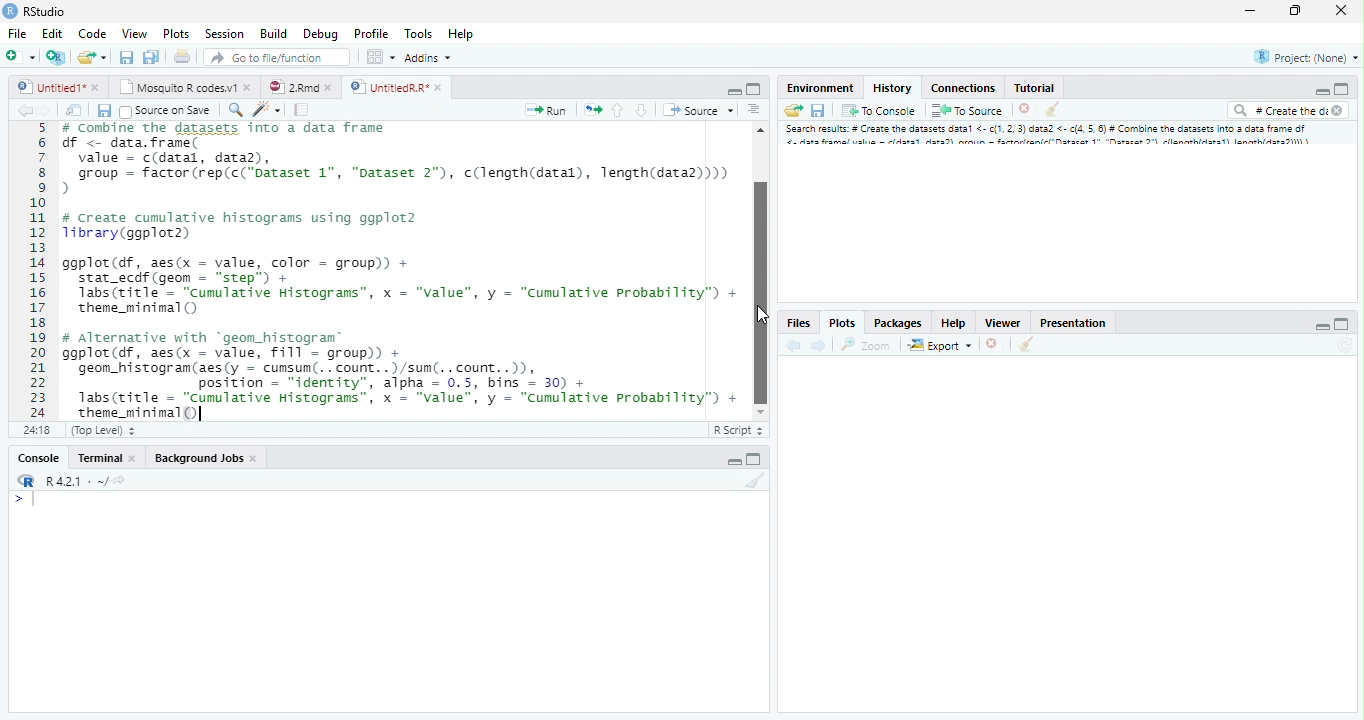  I want to click on Create a project, so click(56, 55).